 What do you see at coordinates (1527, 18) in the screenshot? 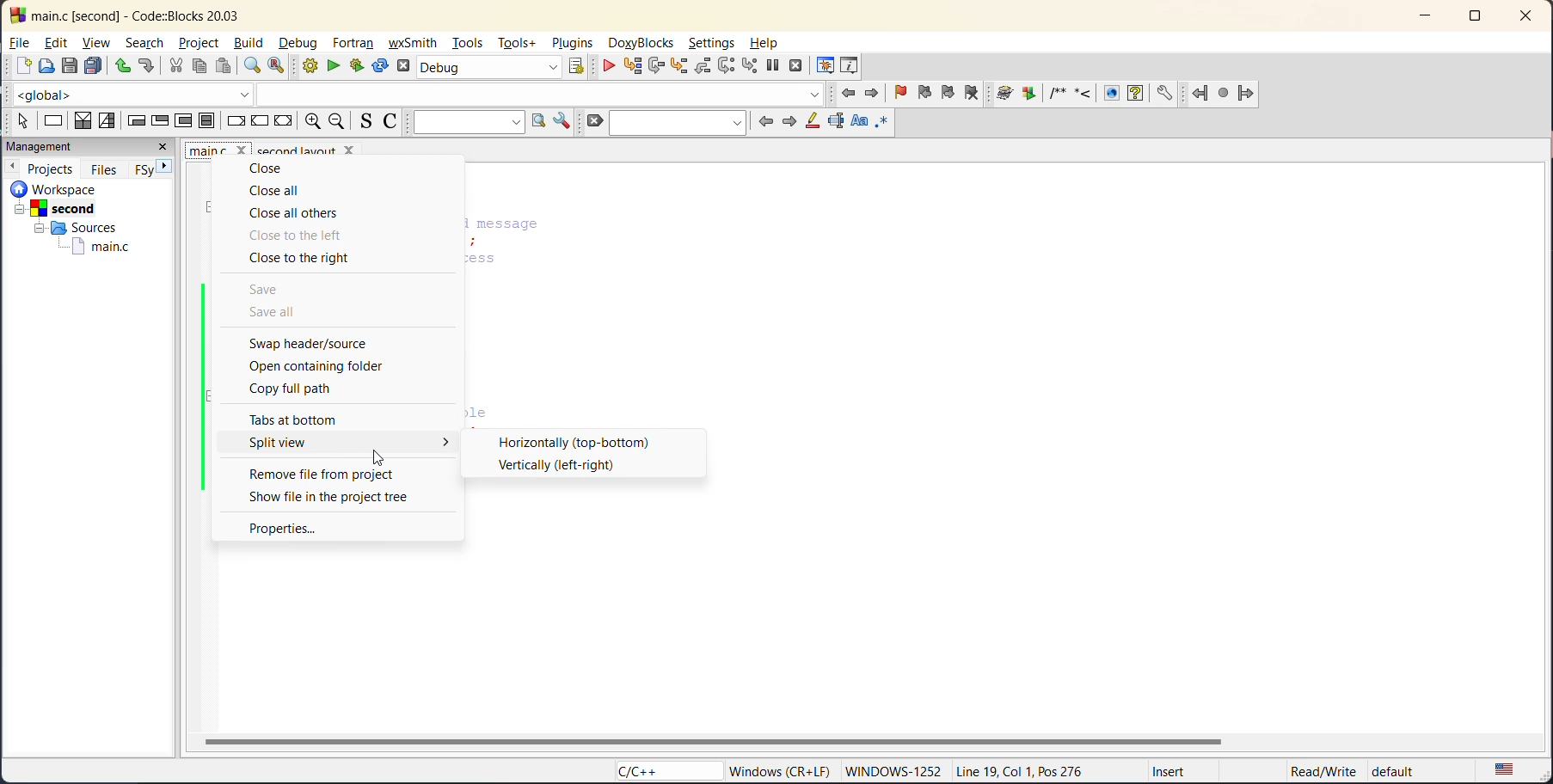
I see `close` at bounding box center [1527, 18].